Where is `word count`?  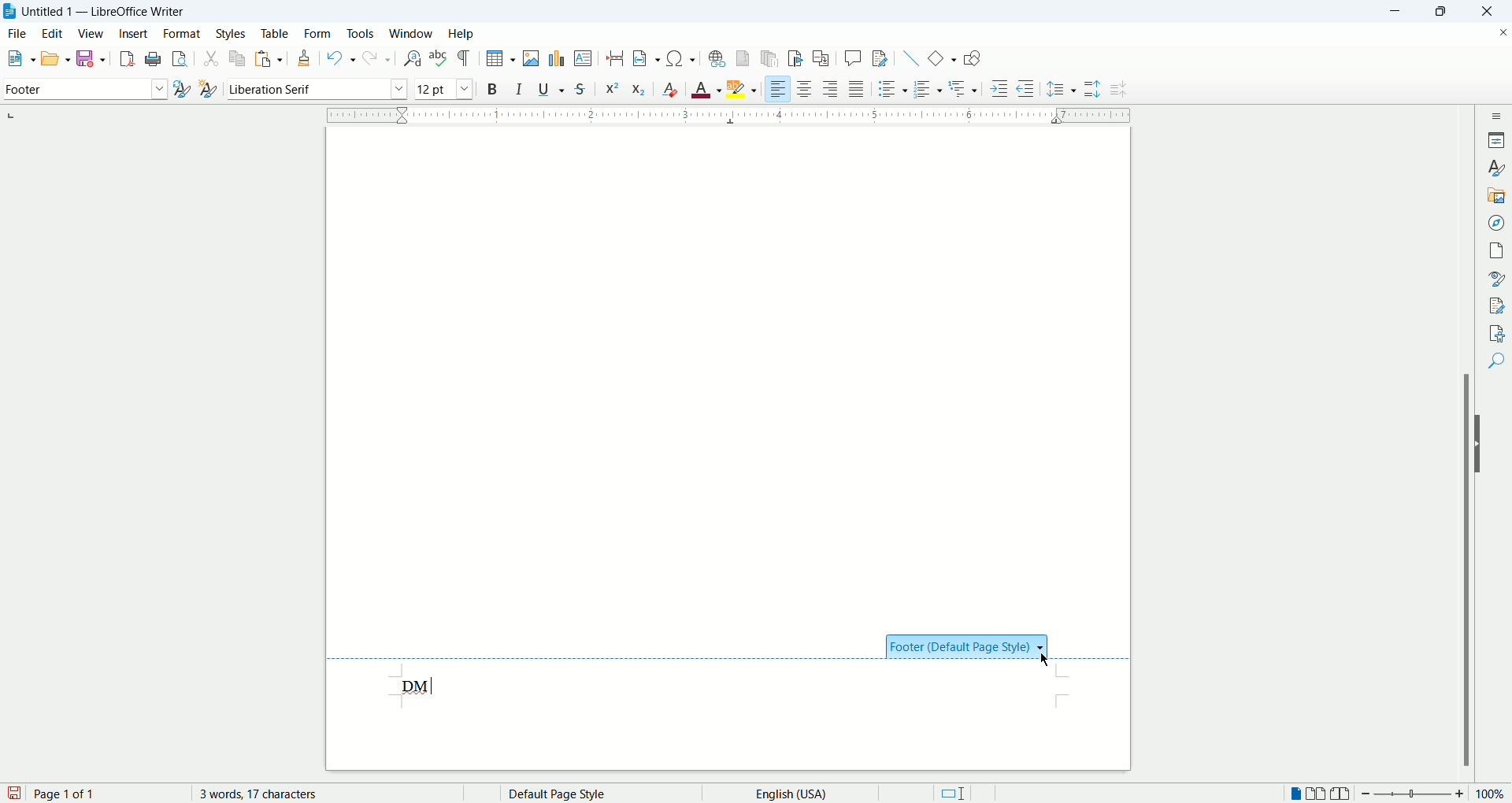
word count is located at coordinates (272, 794).